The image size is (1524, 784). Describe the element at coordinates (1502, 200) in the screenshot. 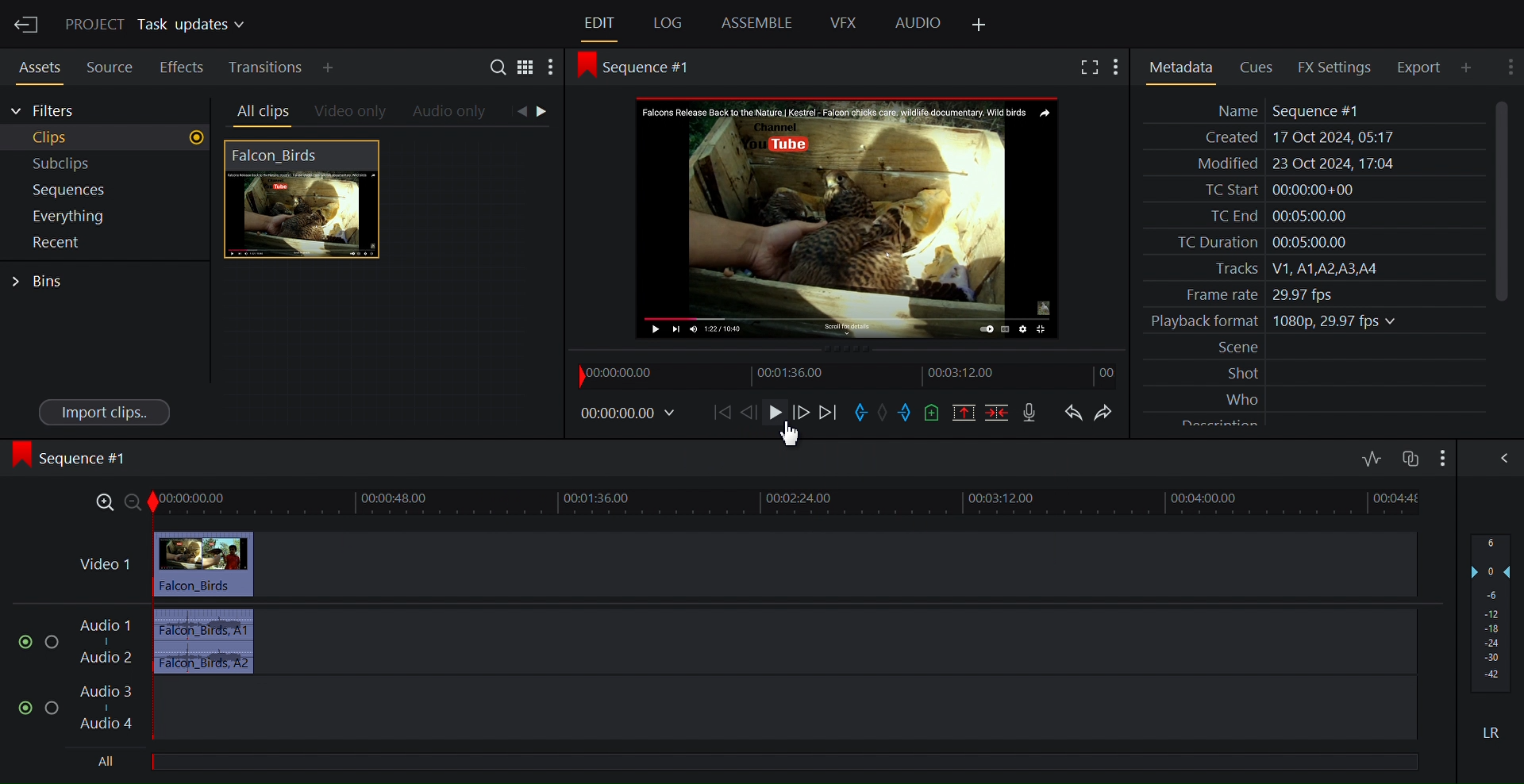

I see `Vertical Scroll bar` at that location.